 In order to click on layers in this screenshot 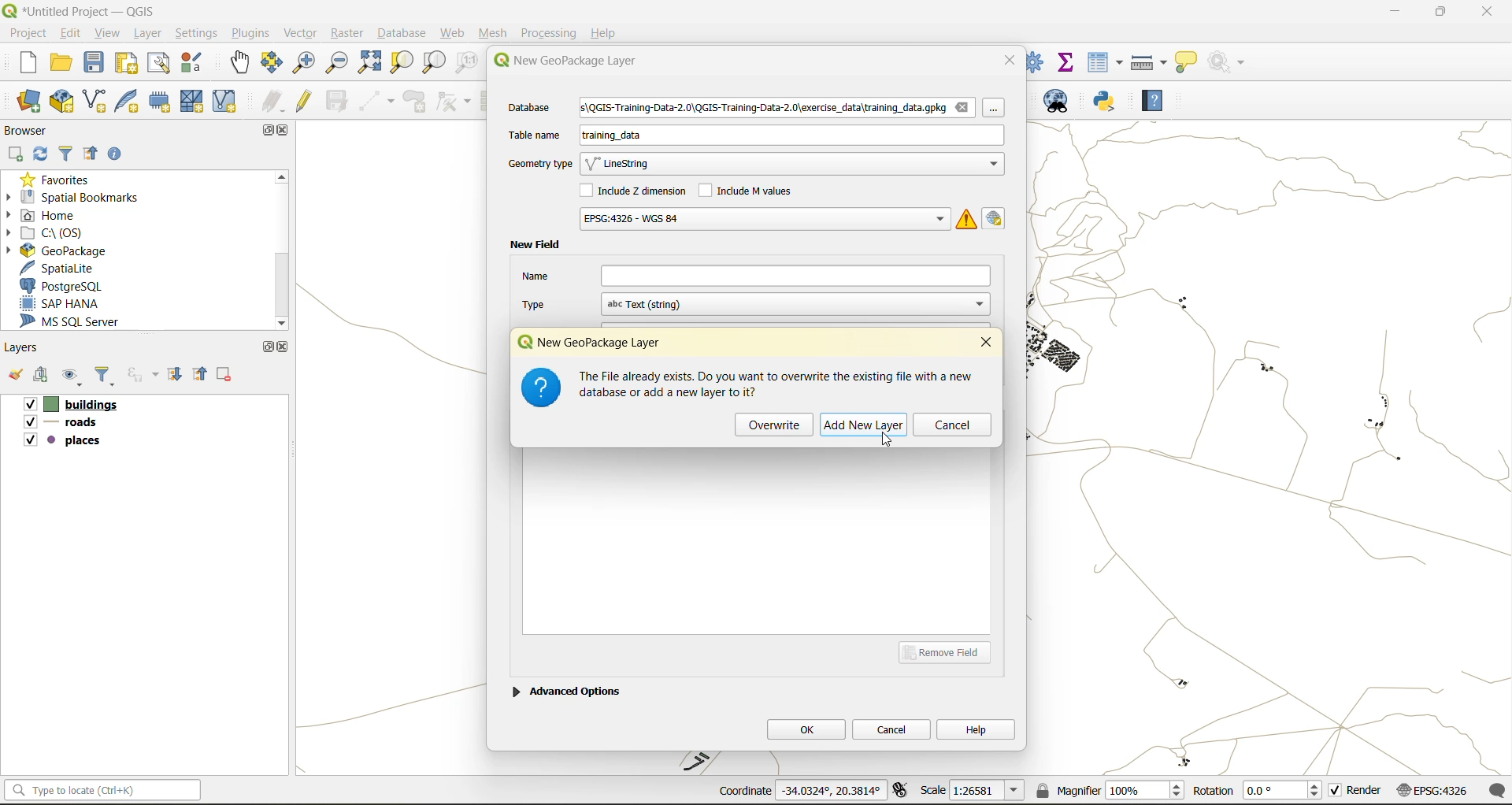, I will do `click(25, 348)`.